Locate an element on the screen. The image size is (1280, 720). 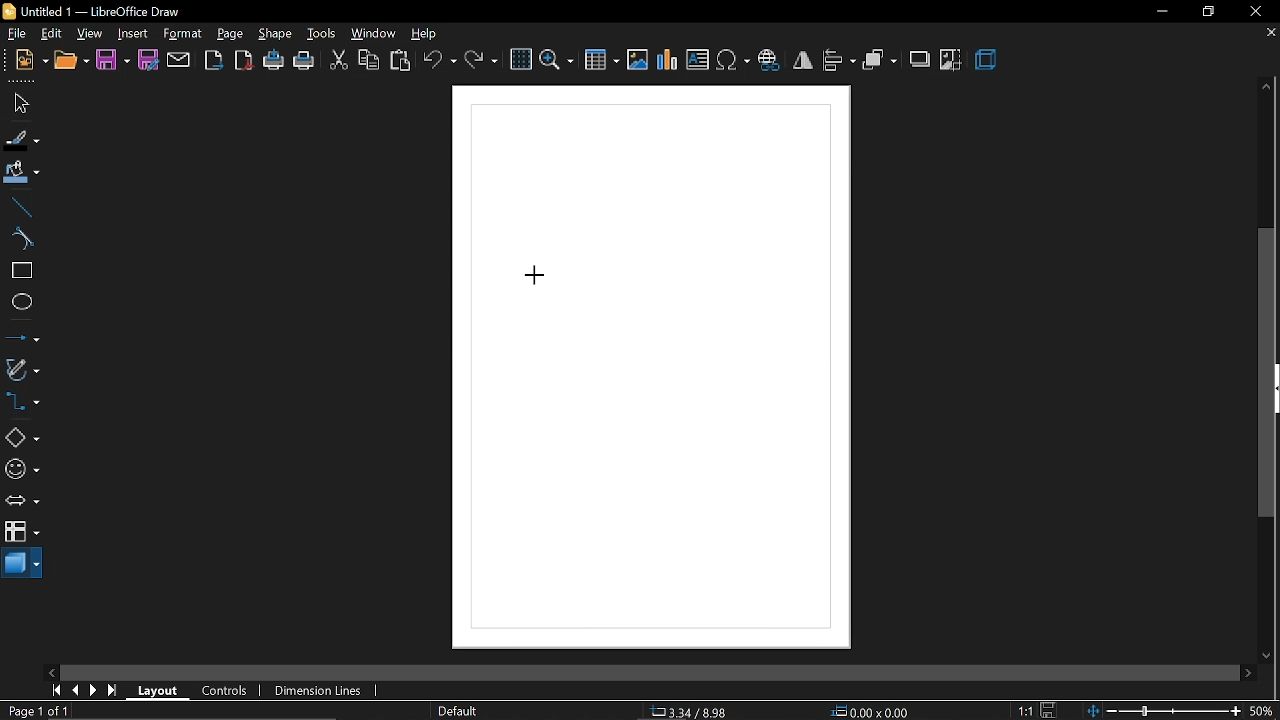
Untitled 1 — LibreOffice Draw is located at coordinates (99, 12).